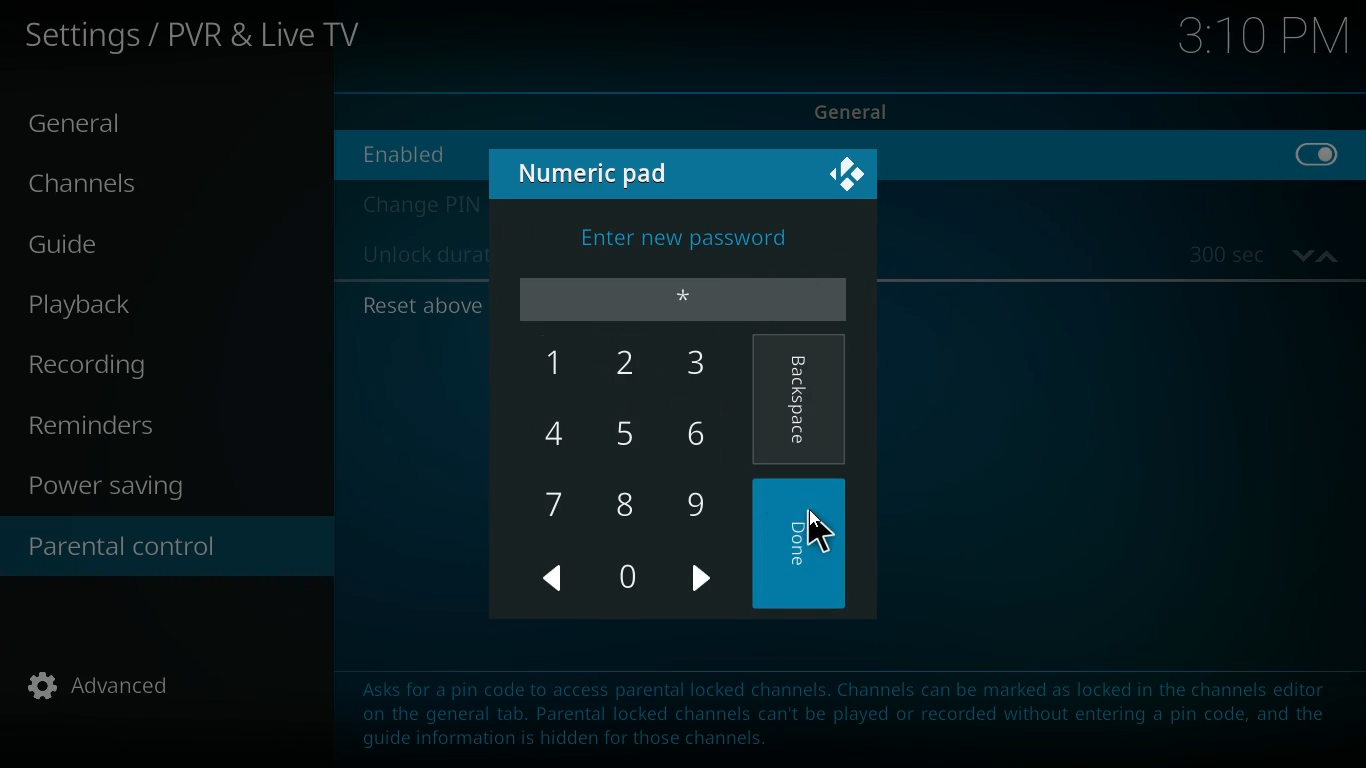 Image resolution: width=1366 pixels, height=768 pixels. I want to click on cursor, so click(819, 533).